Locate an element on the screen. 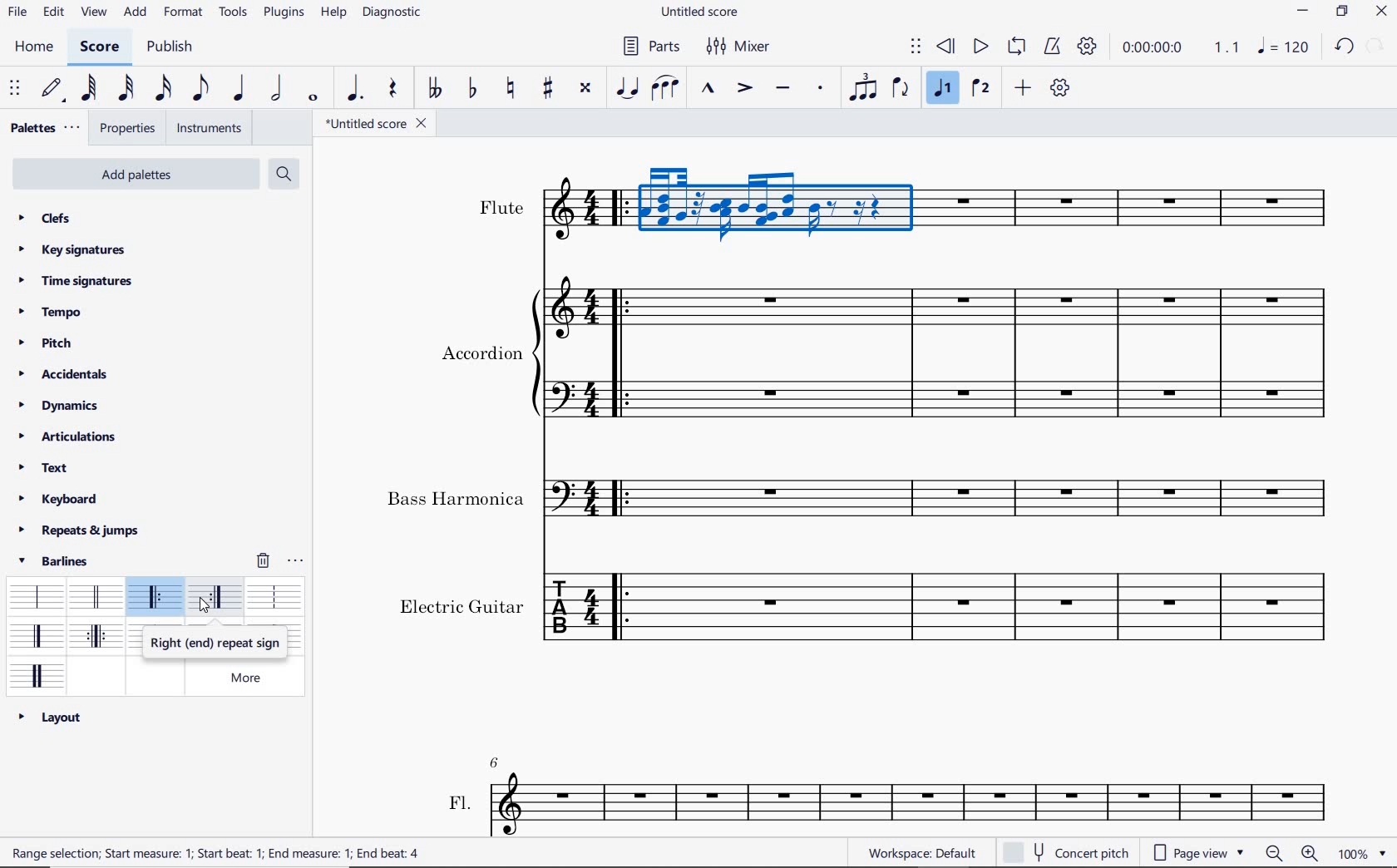  default (step time) is located at coordinates (54, 89).